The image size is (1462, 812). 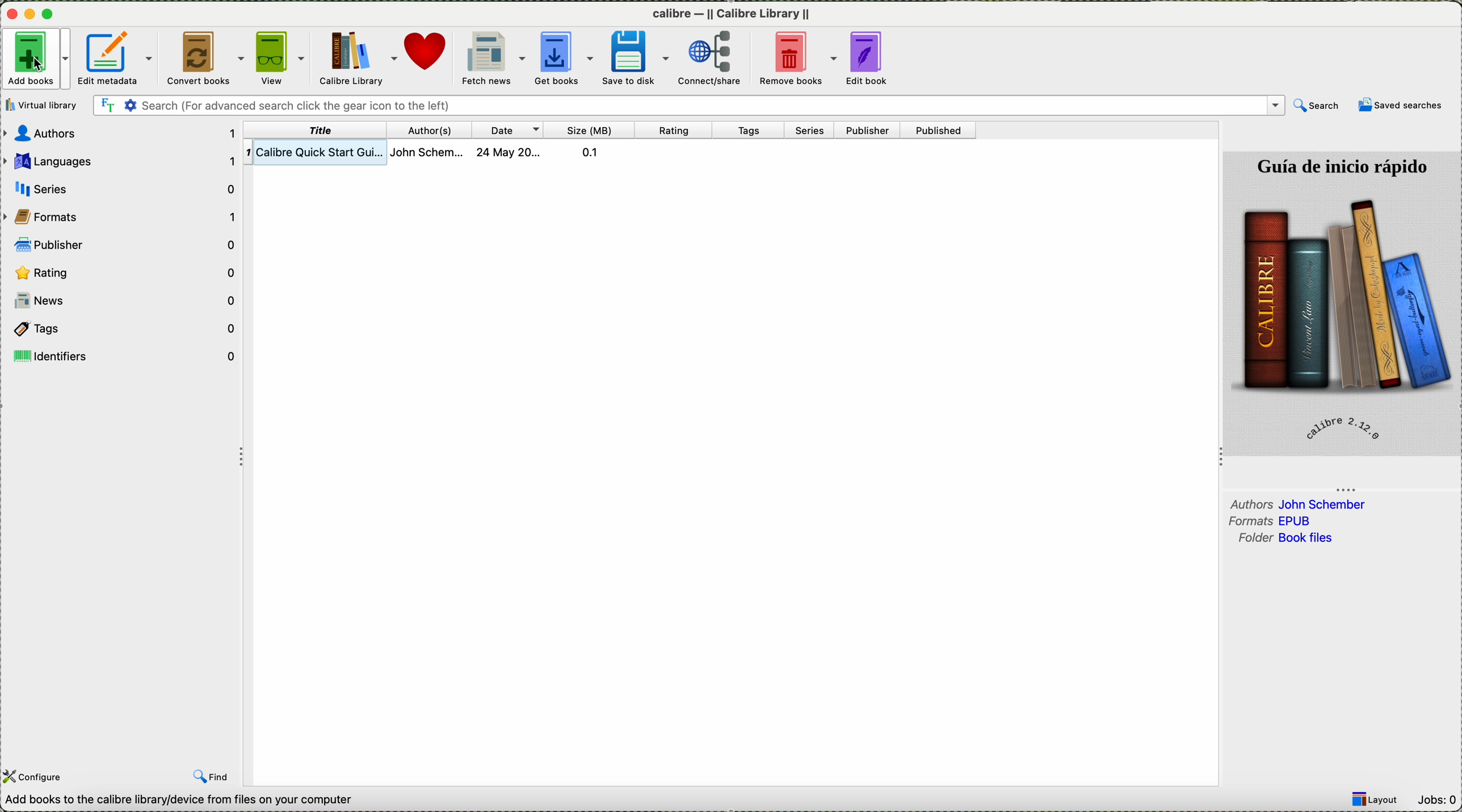 What do you see at coordinates (1317, 106) in the screenshot?
I see `search` at bounding box center [1317, 106].